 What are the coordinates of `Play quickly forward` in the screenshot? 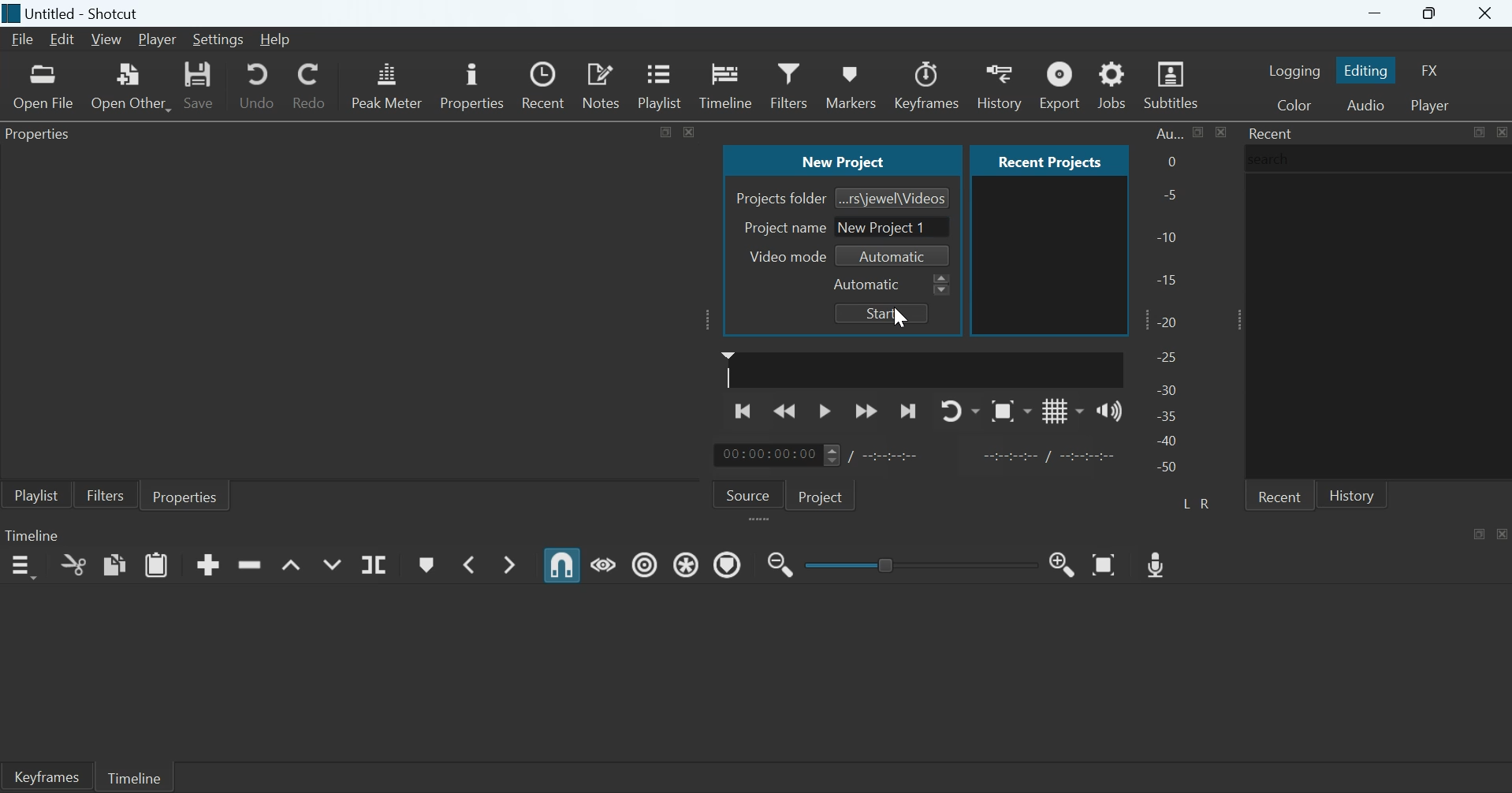 It's located at (866, 411).